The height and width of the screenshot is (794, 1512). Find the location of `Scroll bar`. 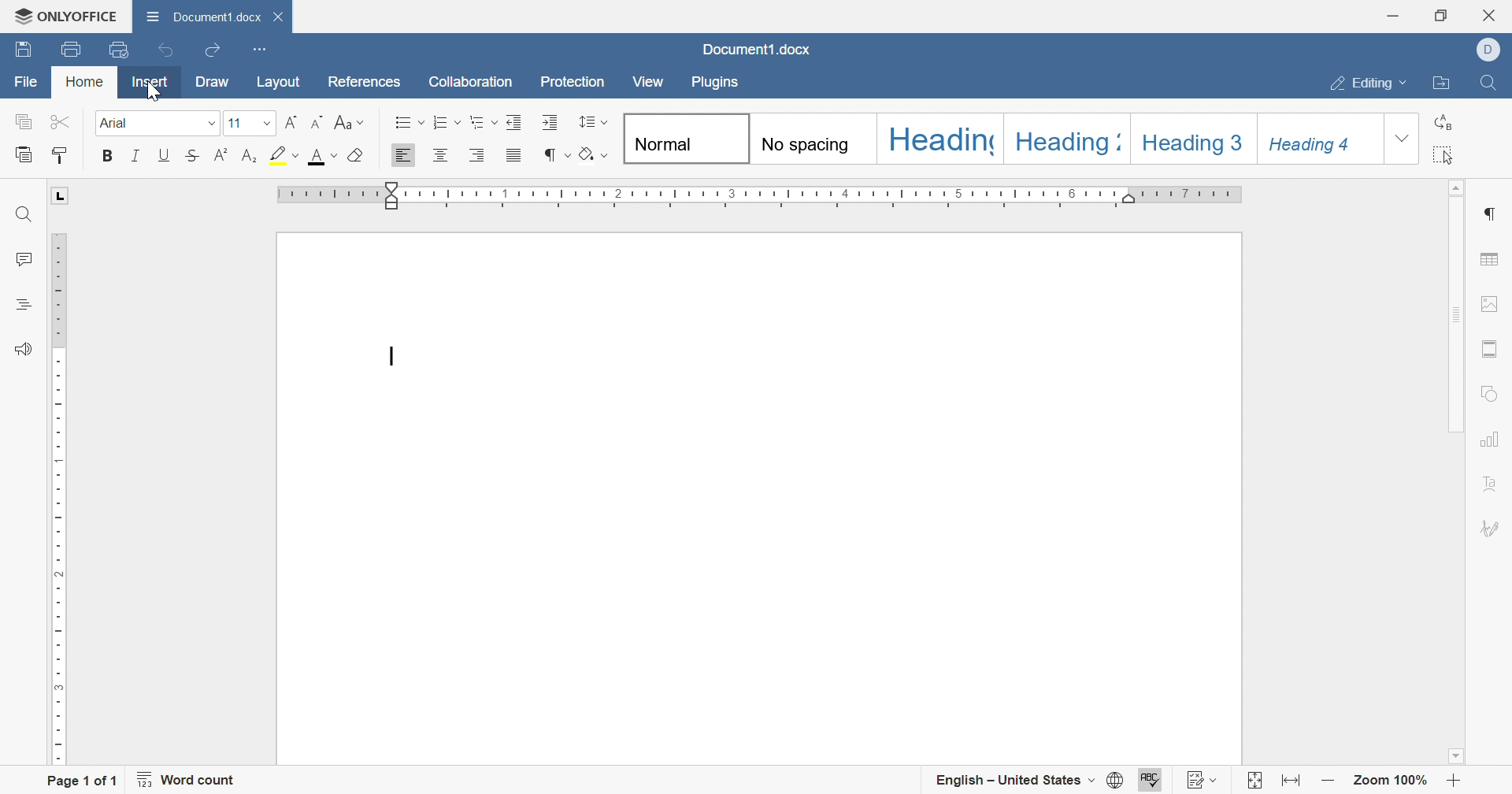

Scroll bar is located at coordinates (1462, 443).